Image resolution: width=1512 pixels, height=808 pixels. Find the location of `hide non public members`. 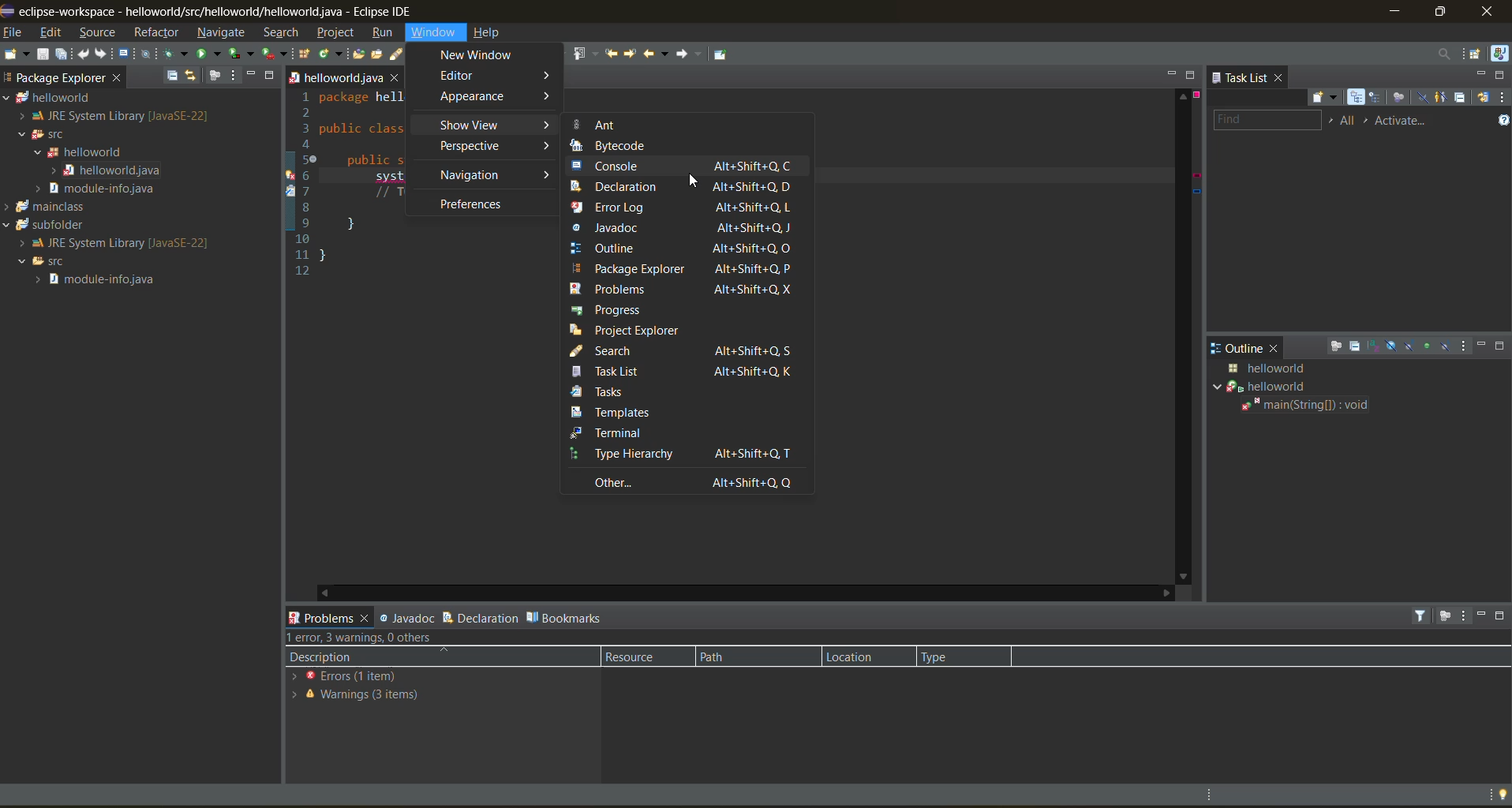

hide non public members is located at coordinates (1429, 346).